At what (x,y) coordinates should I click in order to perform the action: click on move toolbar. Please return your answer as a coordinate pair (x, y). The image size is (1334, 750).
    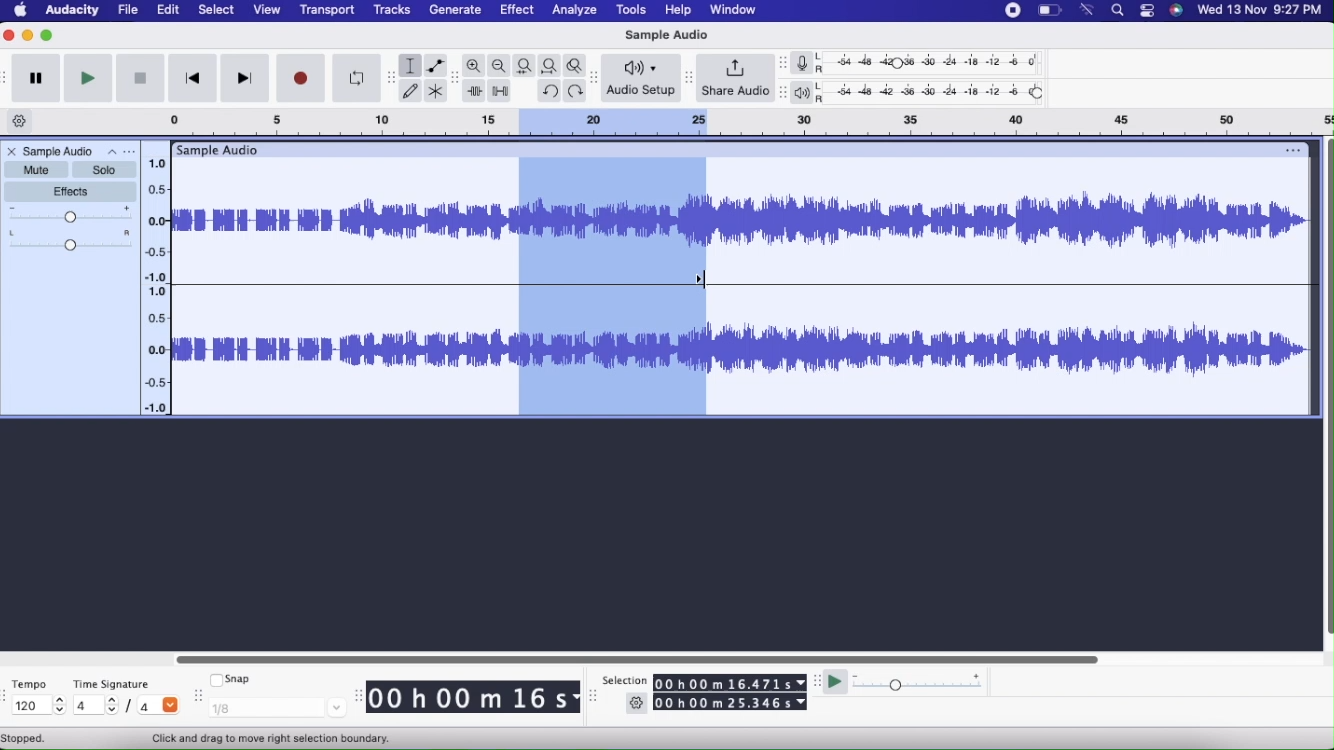
    Looking at the image, I should click on (8, 695).